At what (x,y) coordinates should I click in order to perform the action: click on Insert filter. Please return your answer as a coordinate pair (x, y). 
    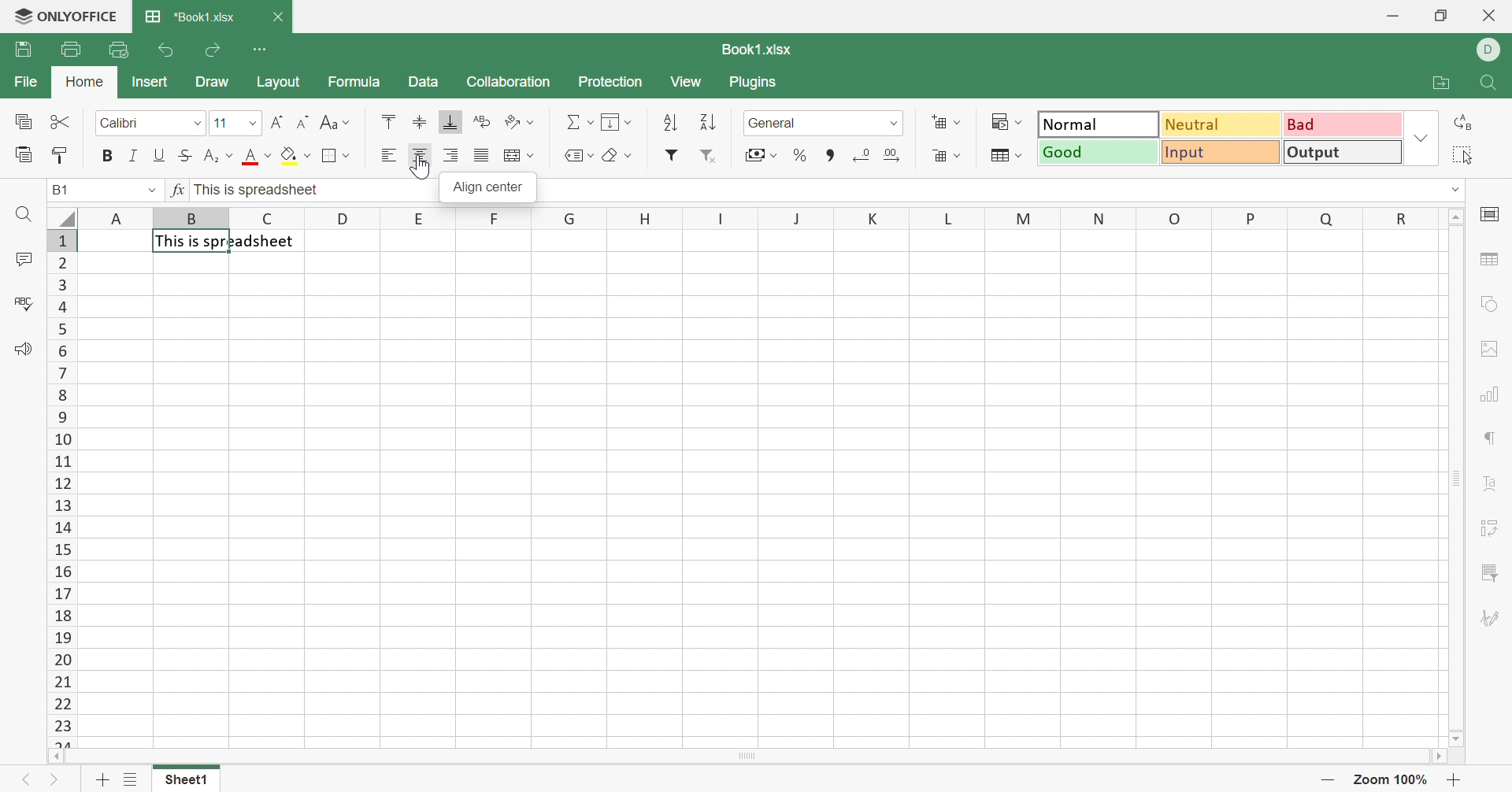
    Looking at the image, I should click on (672, 157).